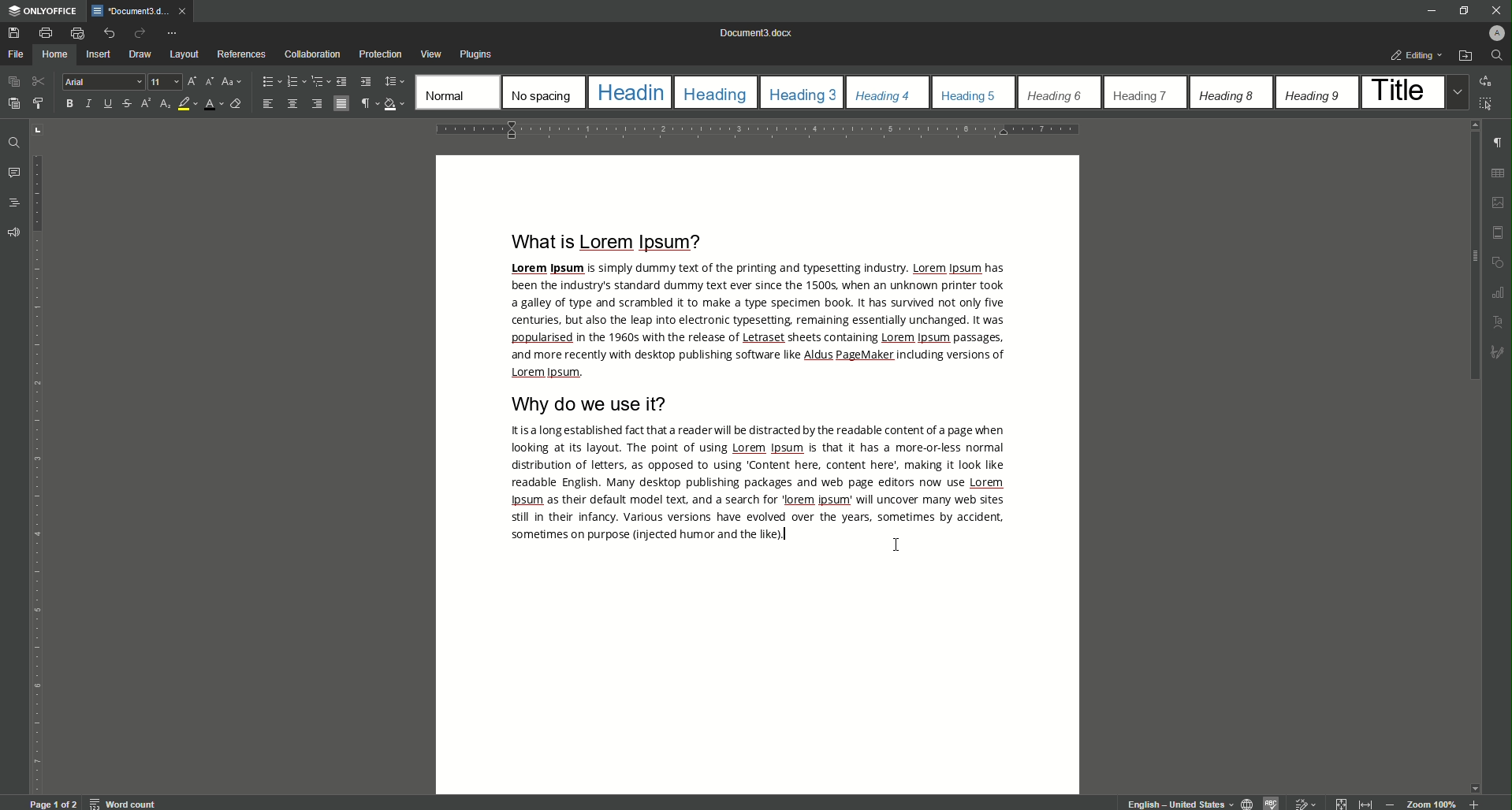 The image size is (1512, 810). What do you see at coordinates (763, 489) in the screenshot?
I see `Text` at bounding box center [763, 489].